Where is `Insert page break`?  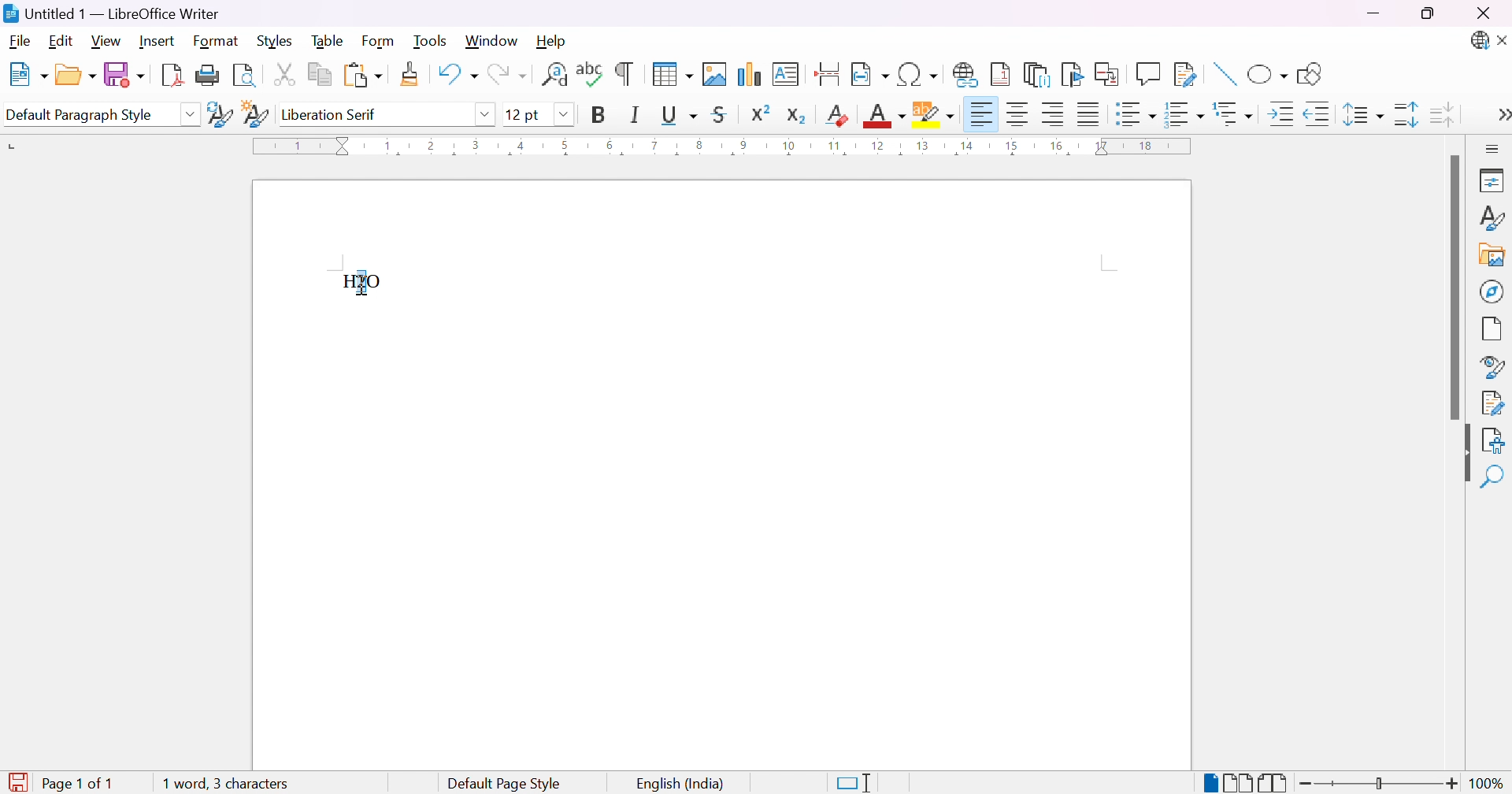 Insert page break is located at coordinates (829, 74).